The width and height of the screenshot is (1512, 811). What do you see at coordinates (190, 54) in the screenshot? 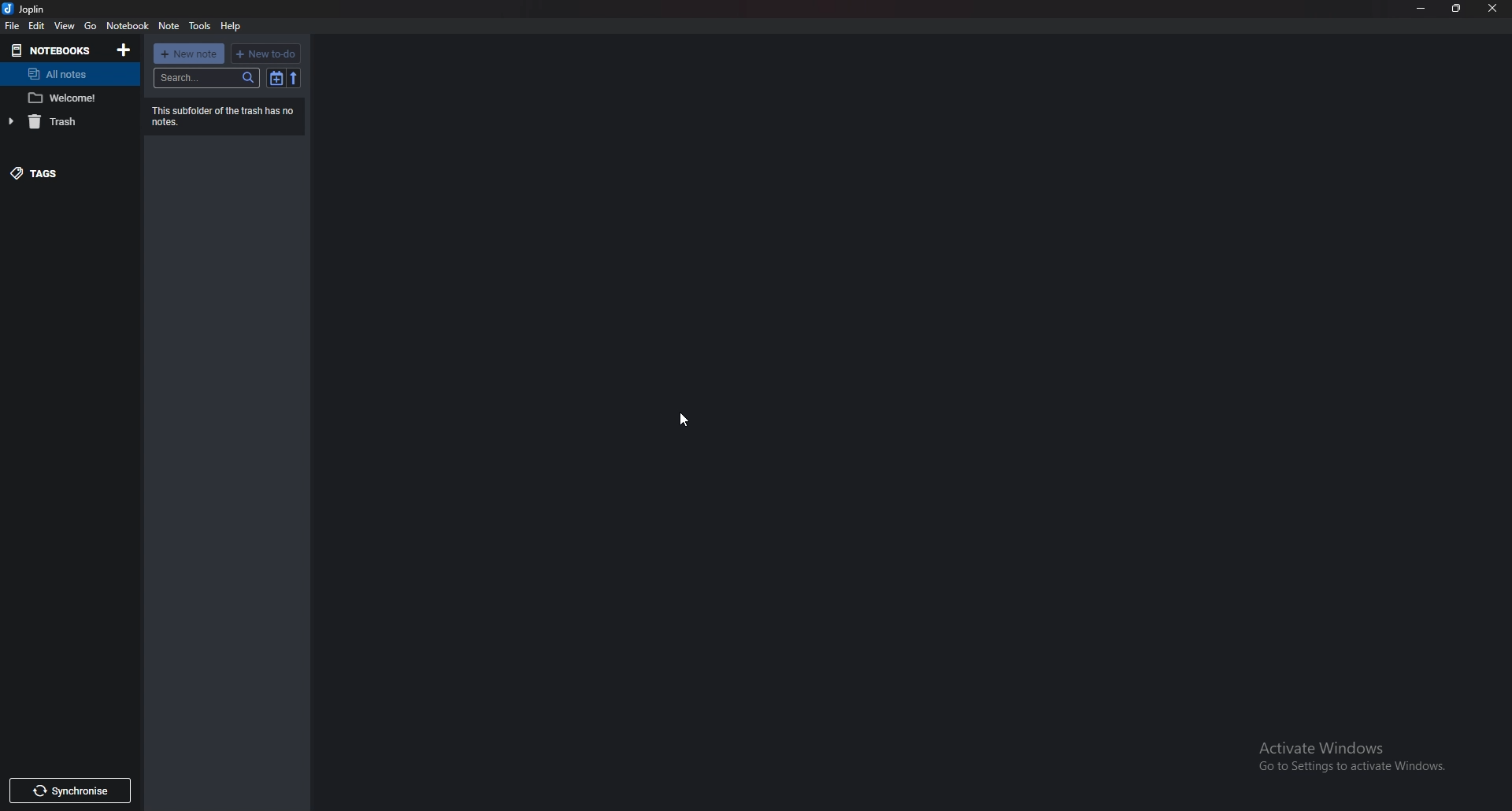
I see `new note` at bounding box center [190, 54].